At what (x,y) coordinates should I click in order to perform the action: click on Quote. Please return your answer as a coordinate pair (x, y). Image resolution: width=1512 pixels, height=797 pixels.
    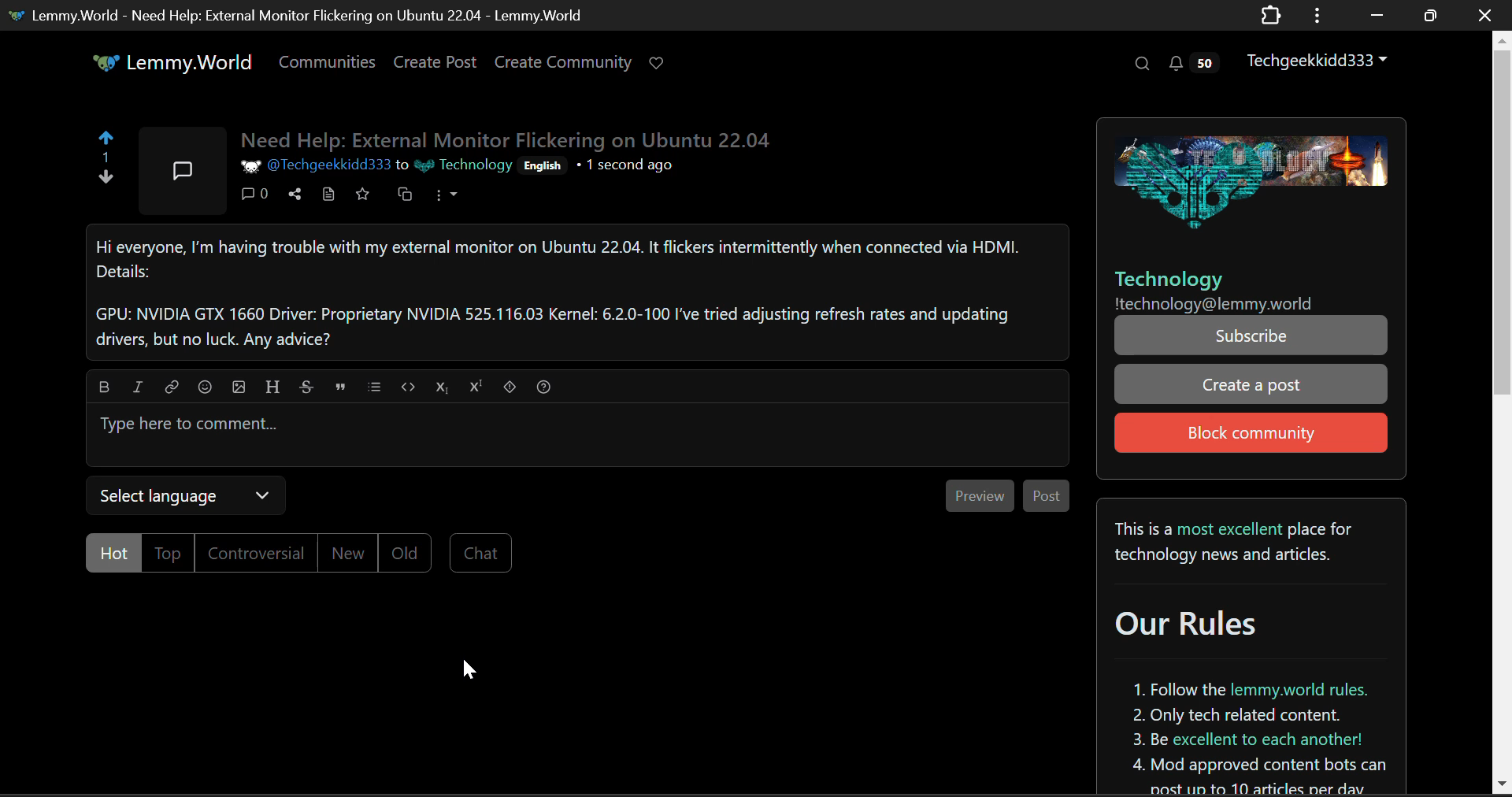
    Looking at the image, I should click on (339, 387).